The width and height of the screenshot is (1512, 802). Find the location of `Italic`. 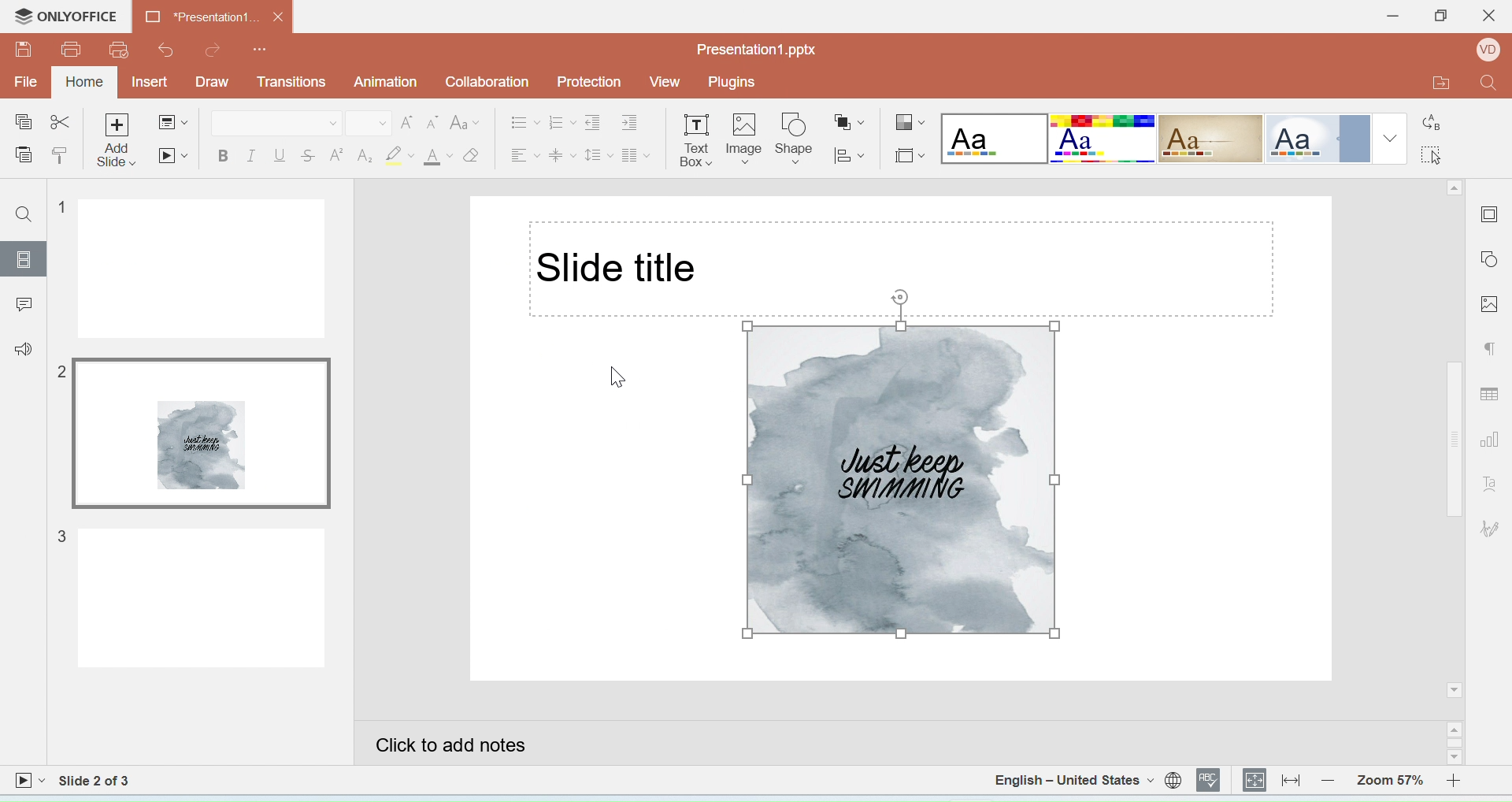

Italic is located at coordinates (250, 157).